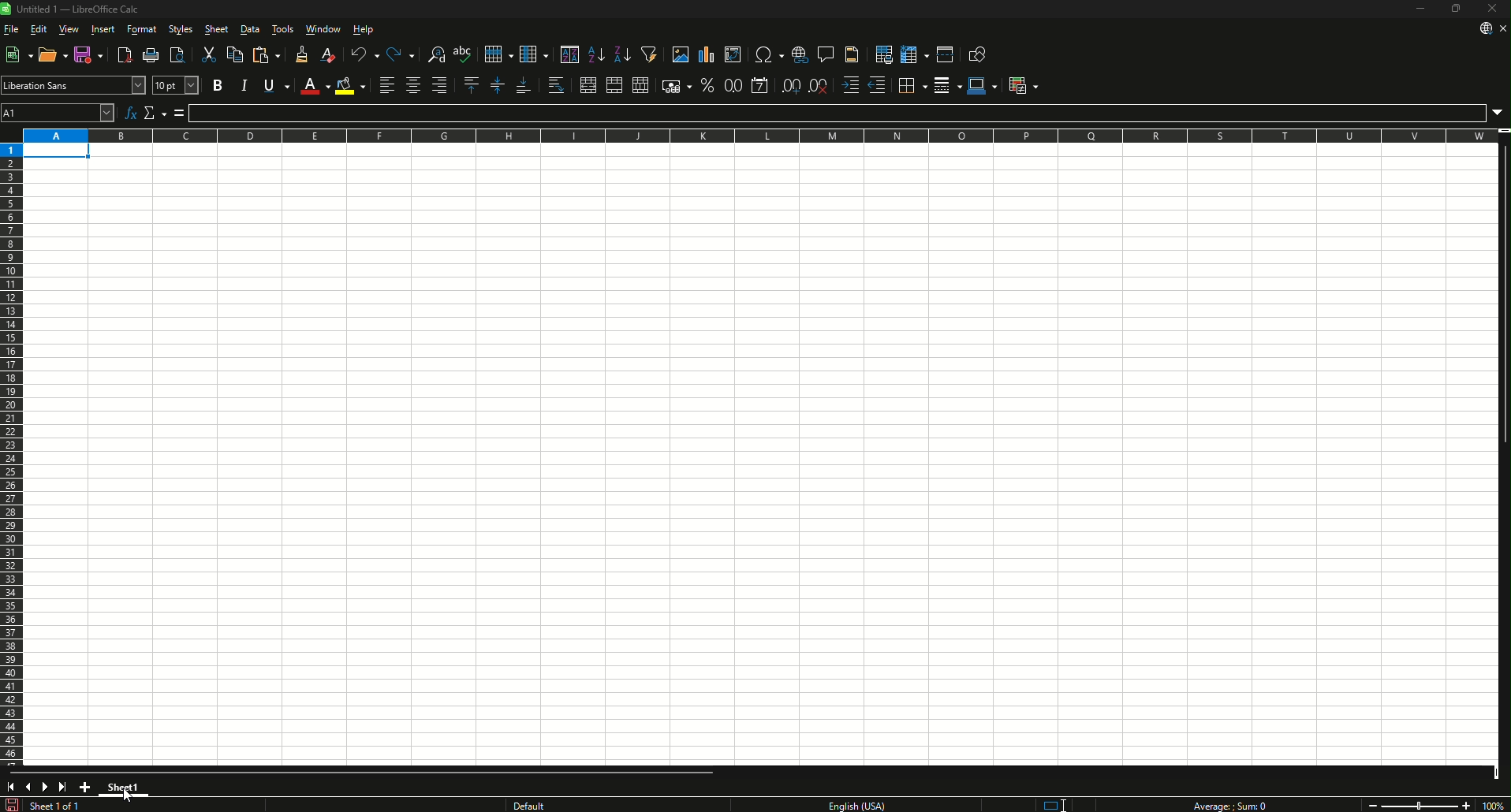 The width and height of the screenshot is (1511, 812). Describe the element at coordinates (759, 136) in the screenshot. I see `Column names` at that location.